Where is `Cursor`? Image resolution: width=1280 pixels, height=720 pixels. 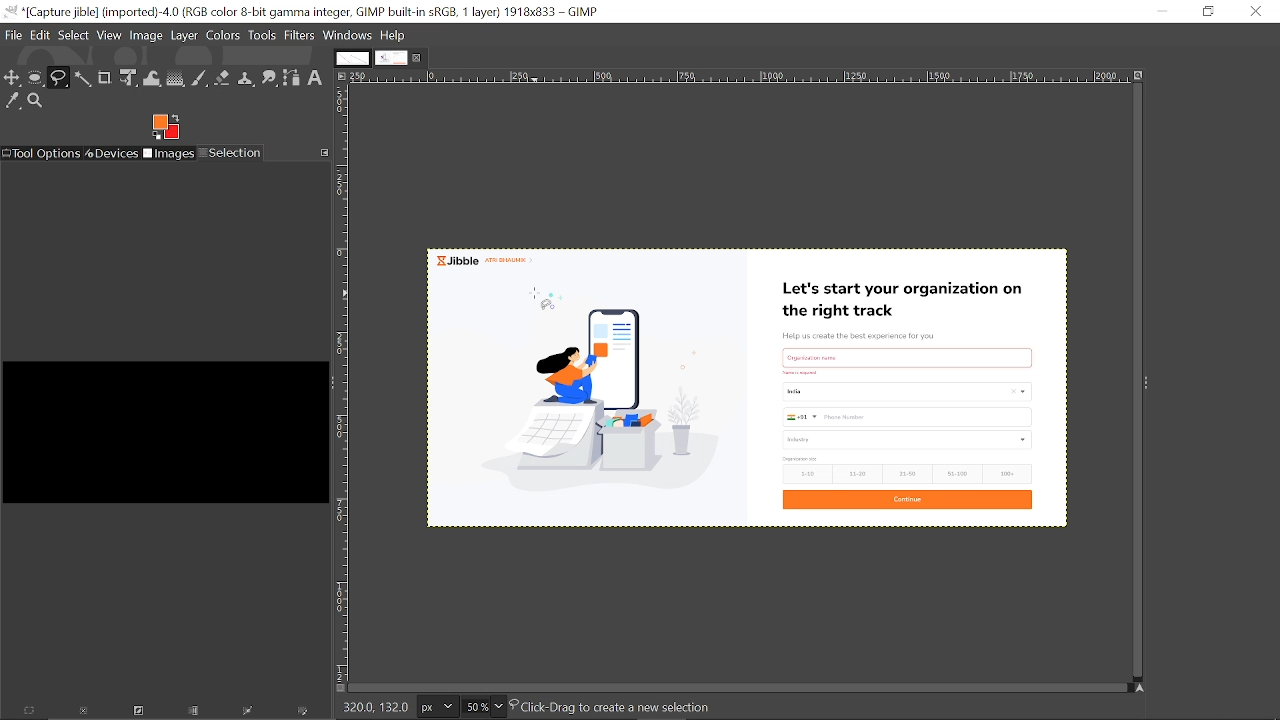
Cursor is located at coordinates (535, 295).